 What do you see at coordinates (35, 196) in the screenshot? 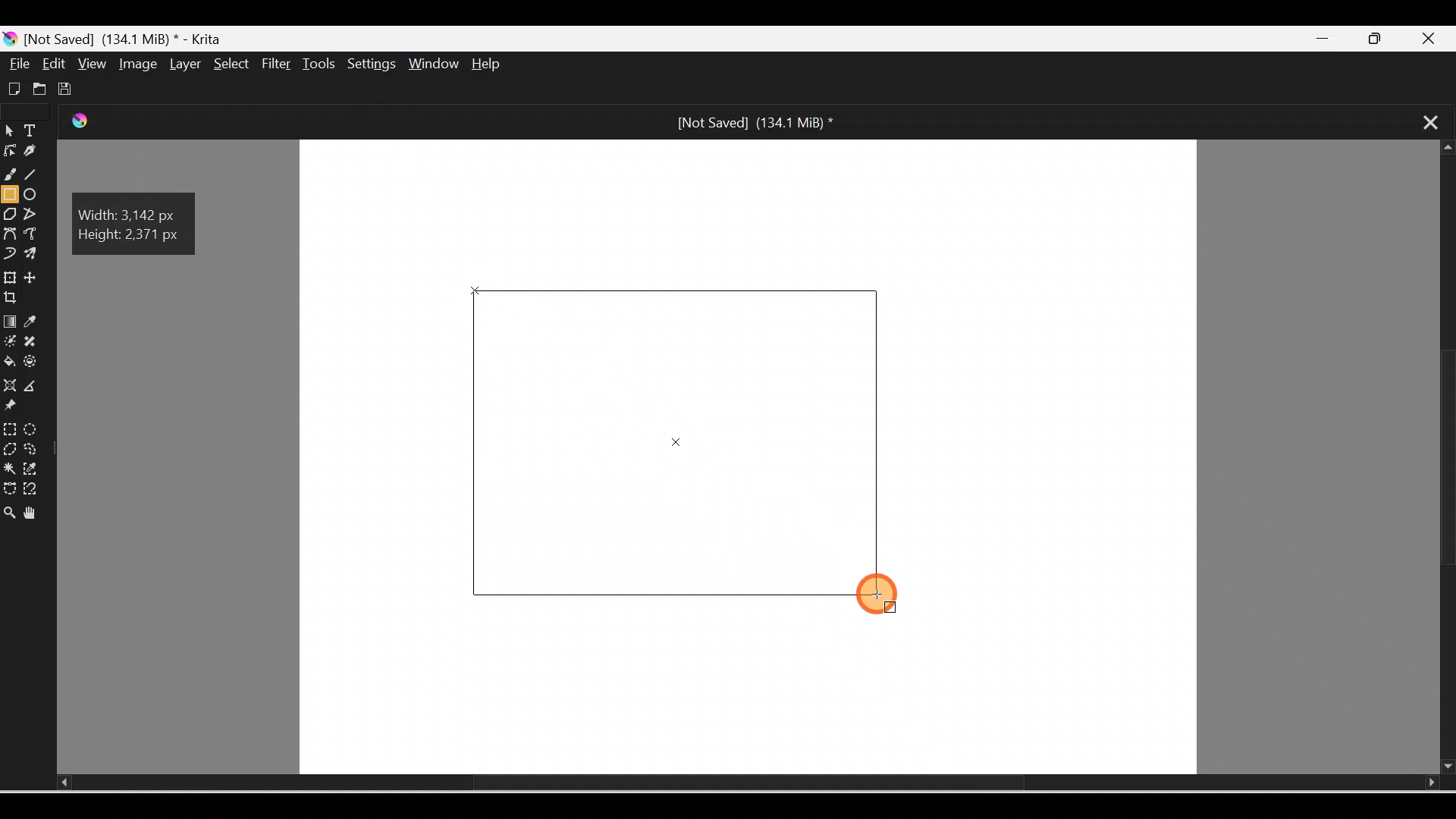
I see `Ellipse` at bounding box center [35, 196].